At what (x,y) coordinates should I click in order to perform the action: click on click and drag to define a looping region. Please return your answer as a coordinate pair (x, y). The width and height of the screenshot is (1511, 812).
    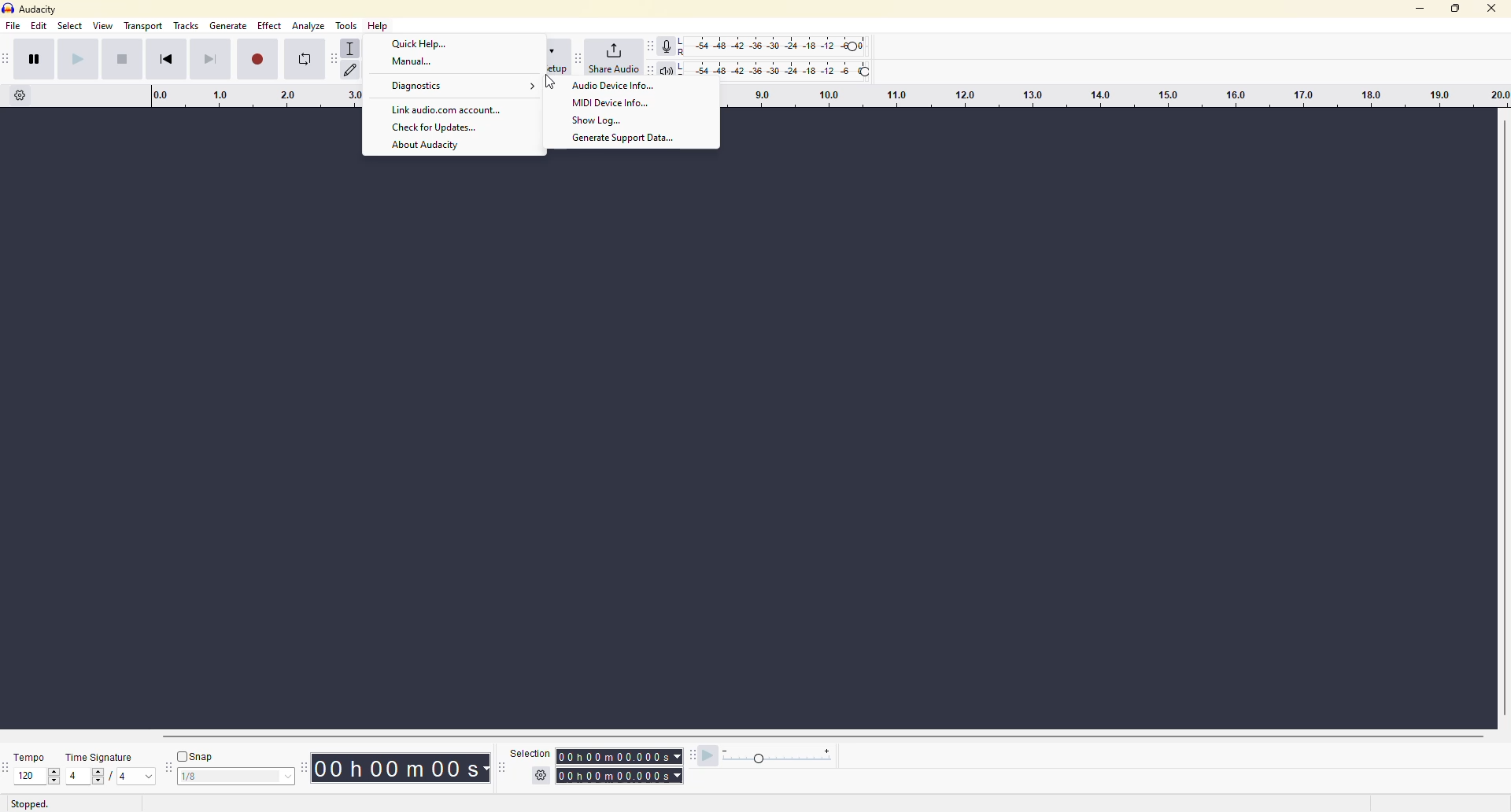
    Looking at the image, I should click on (240, 97).